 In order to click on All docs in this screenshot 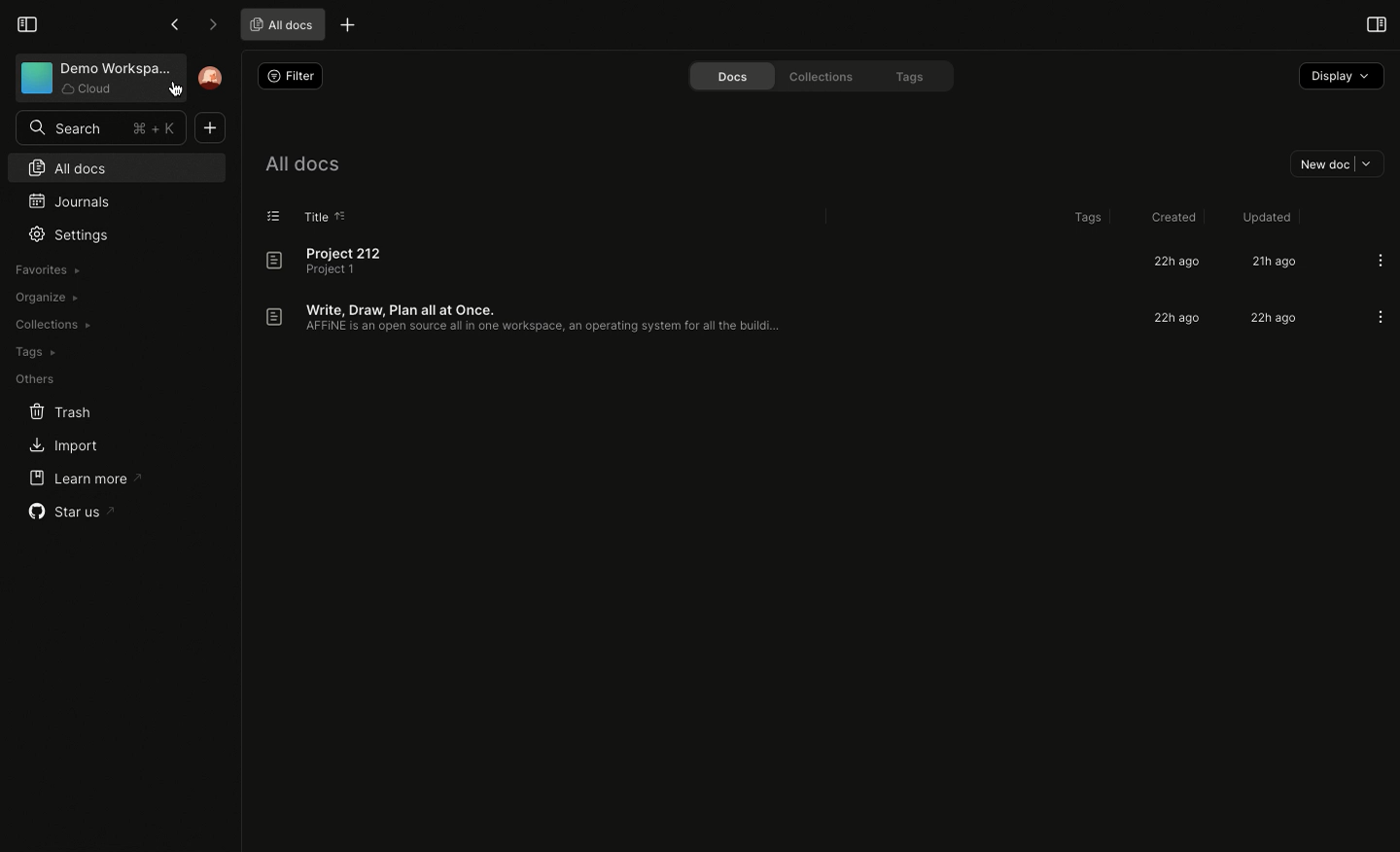, I will do `click(303, 161)`.